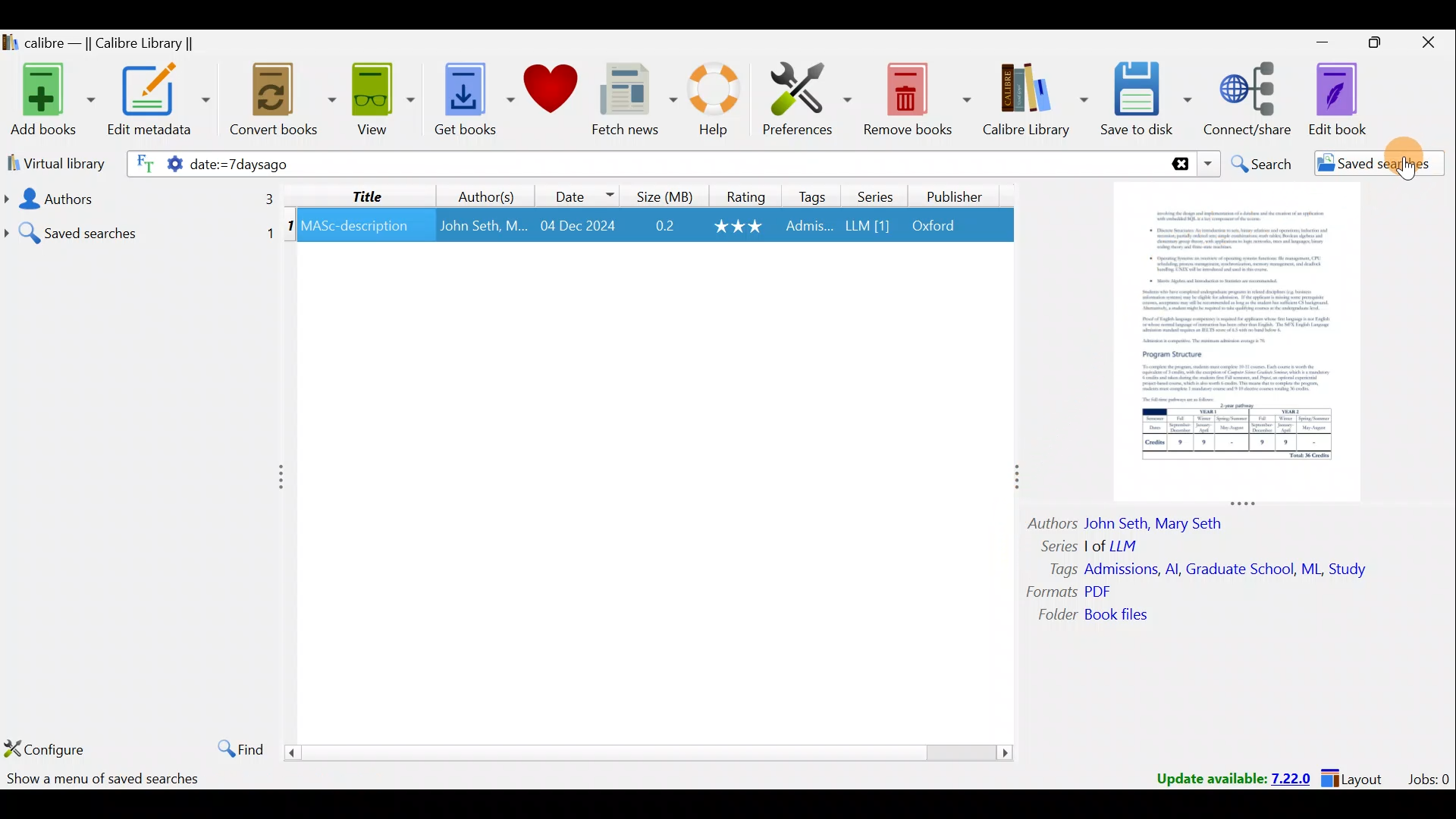  I want to click on Author(s), so click(490, 193).